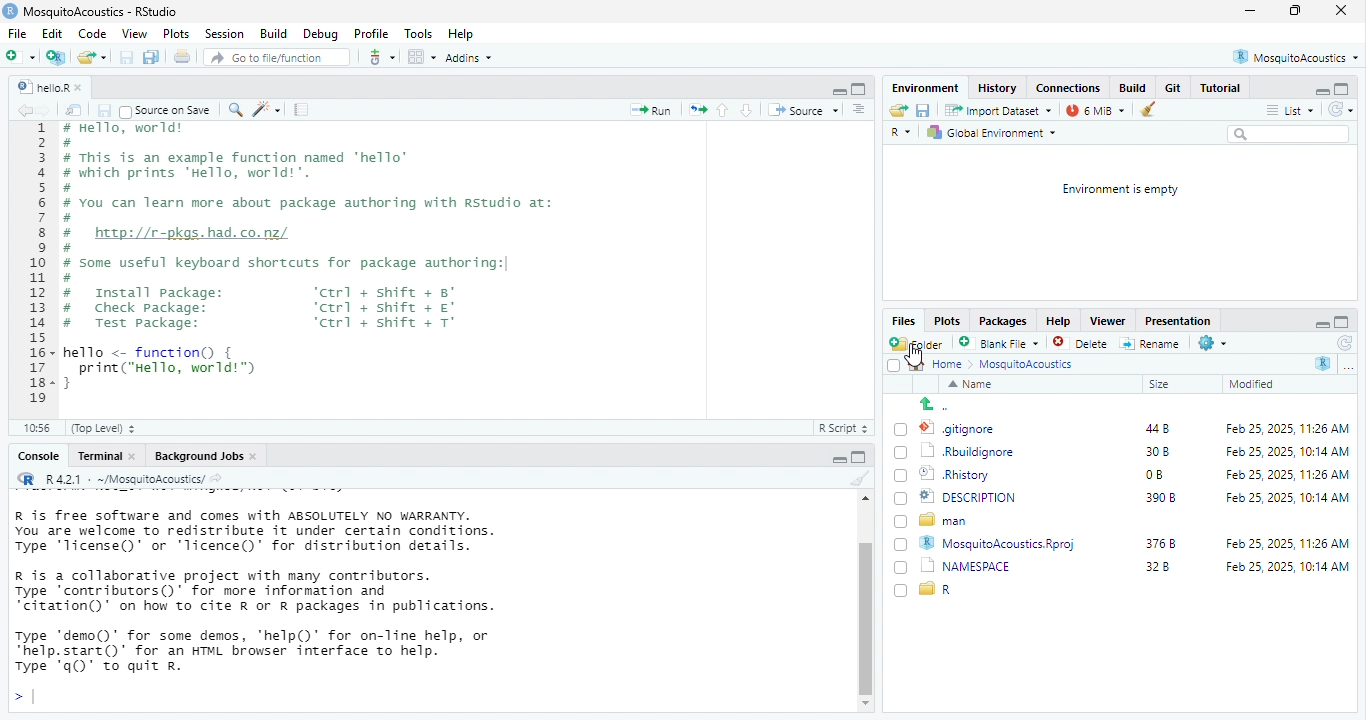  Describe the element at coordinates (105, 110) in the screenshot. I see `save current document` at that location.